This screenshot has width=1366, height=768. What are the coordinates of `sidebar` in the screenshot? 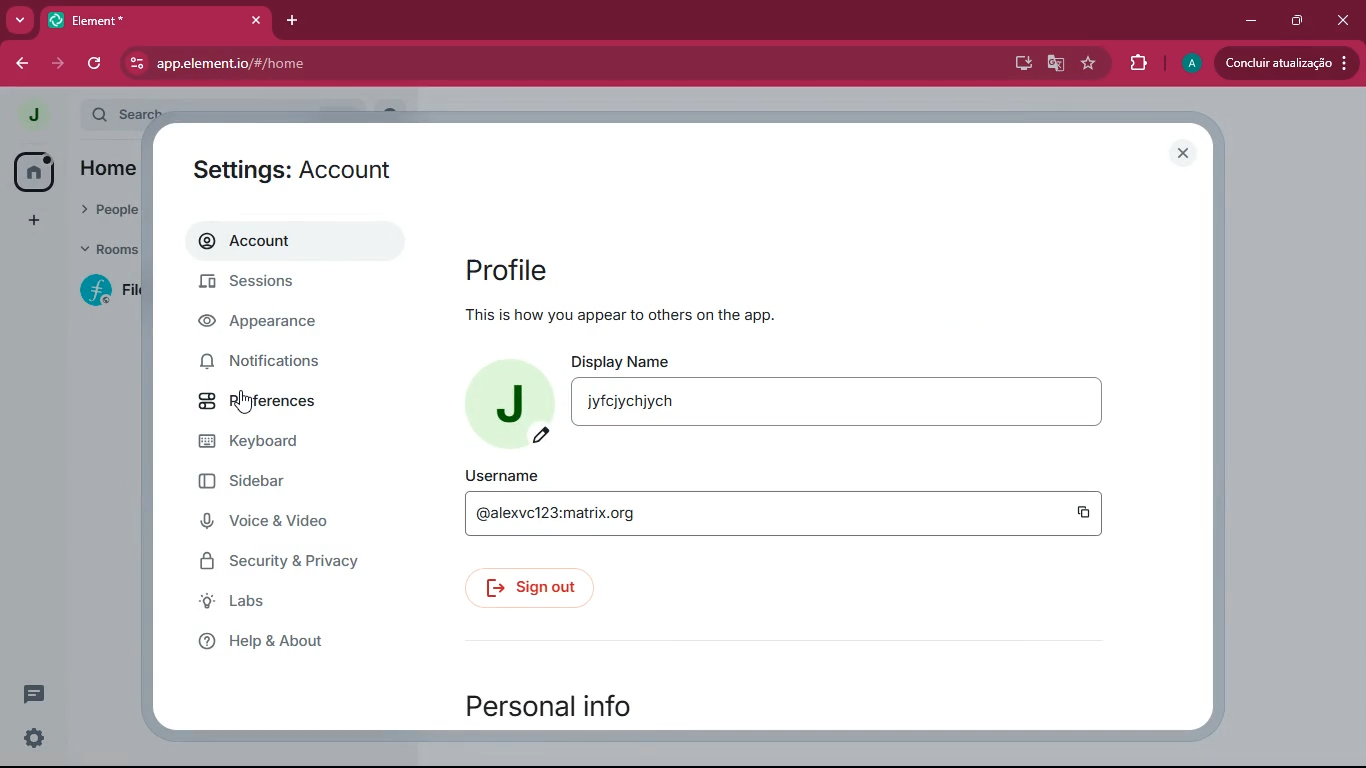 It's located at (286, 485).